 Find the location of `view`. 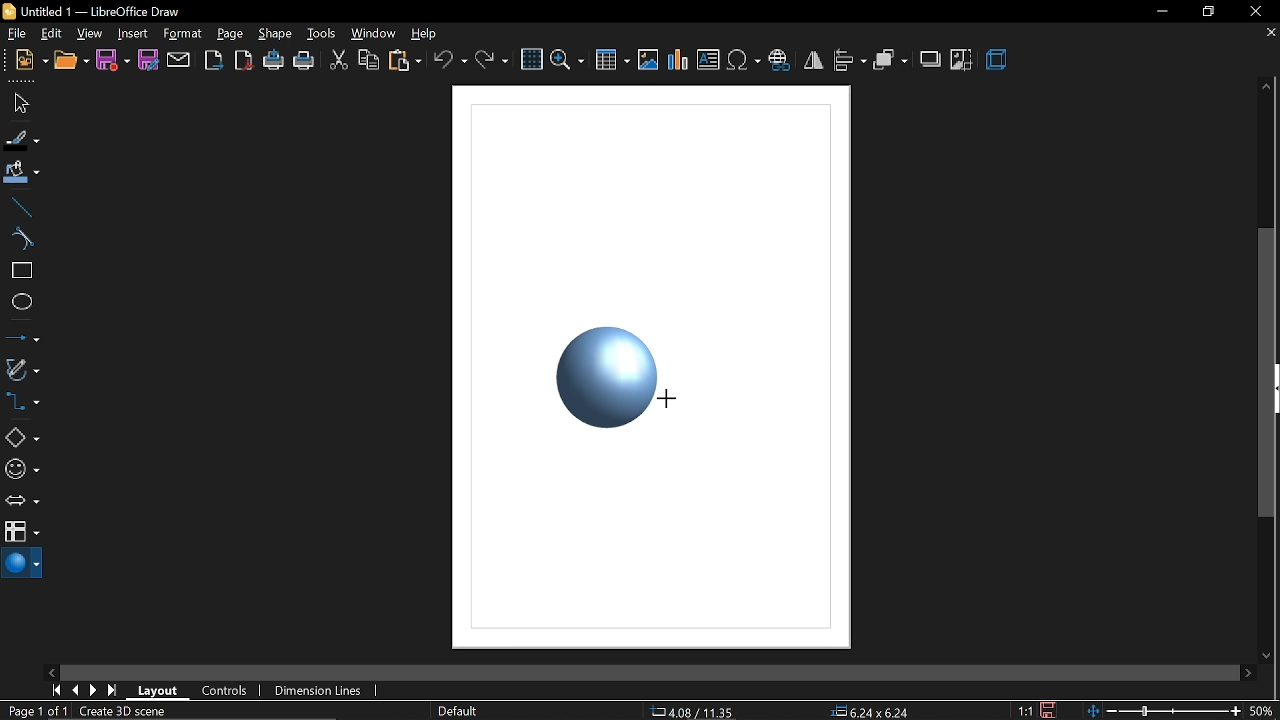

view is located at coordinates (90, 32).